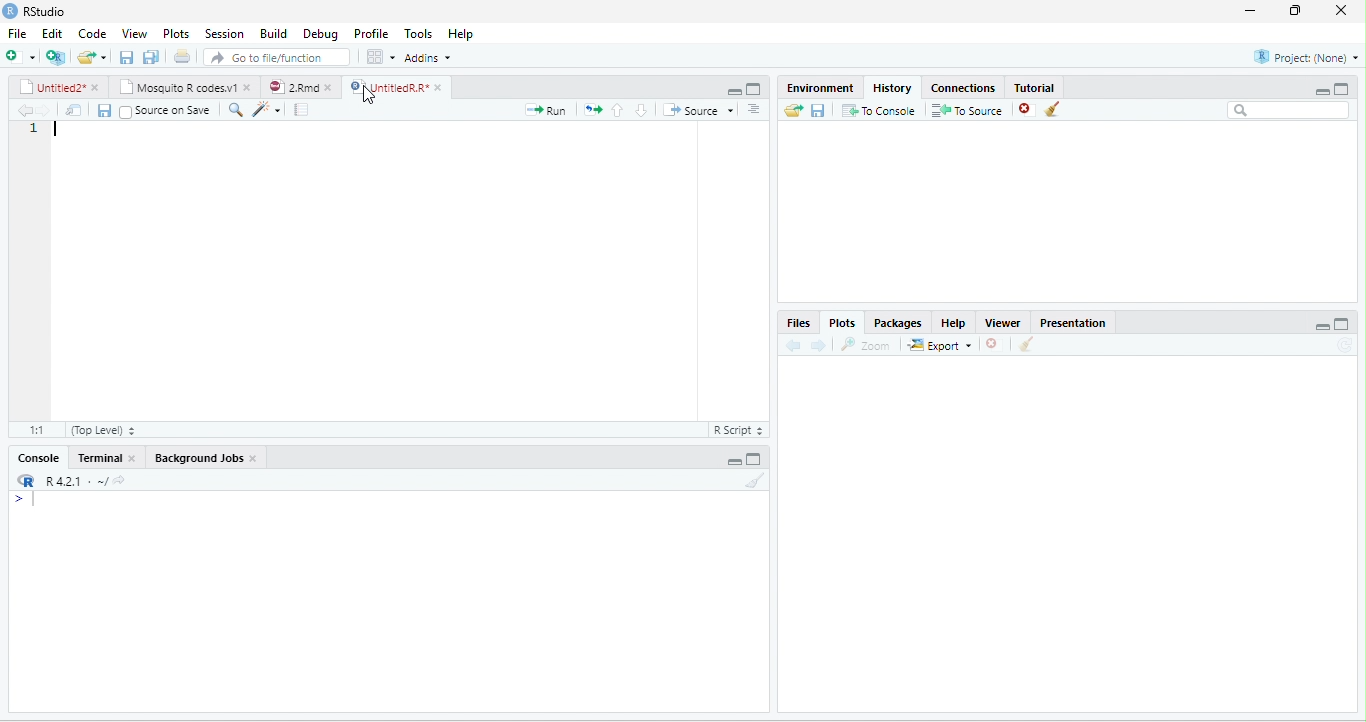 Image resolution: width=1366 pixels, height=722 pixels. What do you see at coordinates (1248, 11) in the screenshot?
I see `minimize` at bounding box center [1248, 11].